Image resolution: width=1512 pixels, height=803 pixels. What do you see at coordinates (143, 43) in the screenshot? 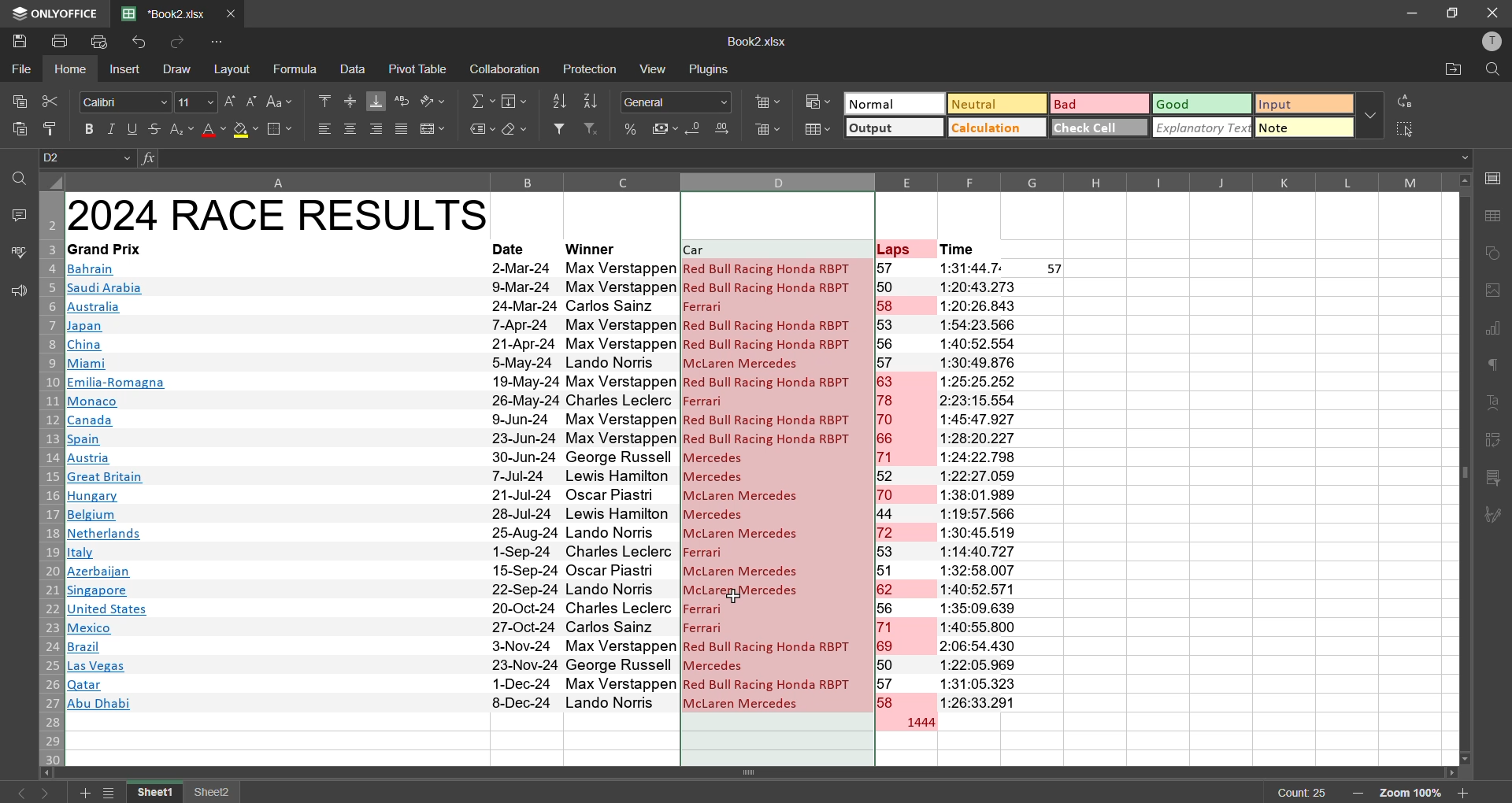
I see `undo` at bounding box center [143, 43].